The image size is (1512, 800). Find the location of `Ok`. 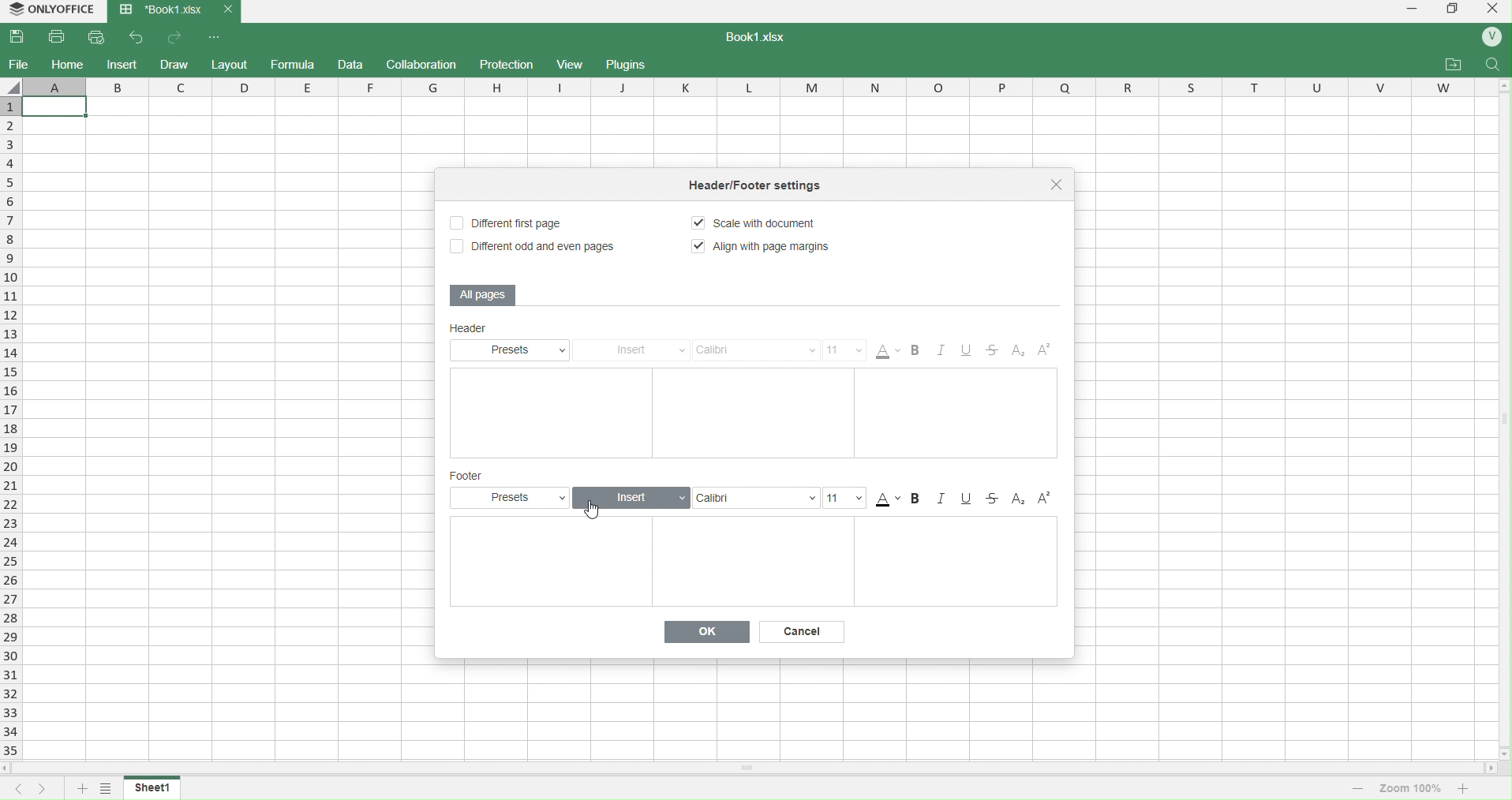

Ok is located at coordinates (709, 631).